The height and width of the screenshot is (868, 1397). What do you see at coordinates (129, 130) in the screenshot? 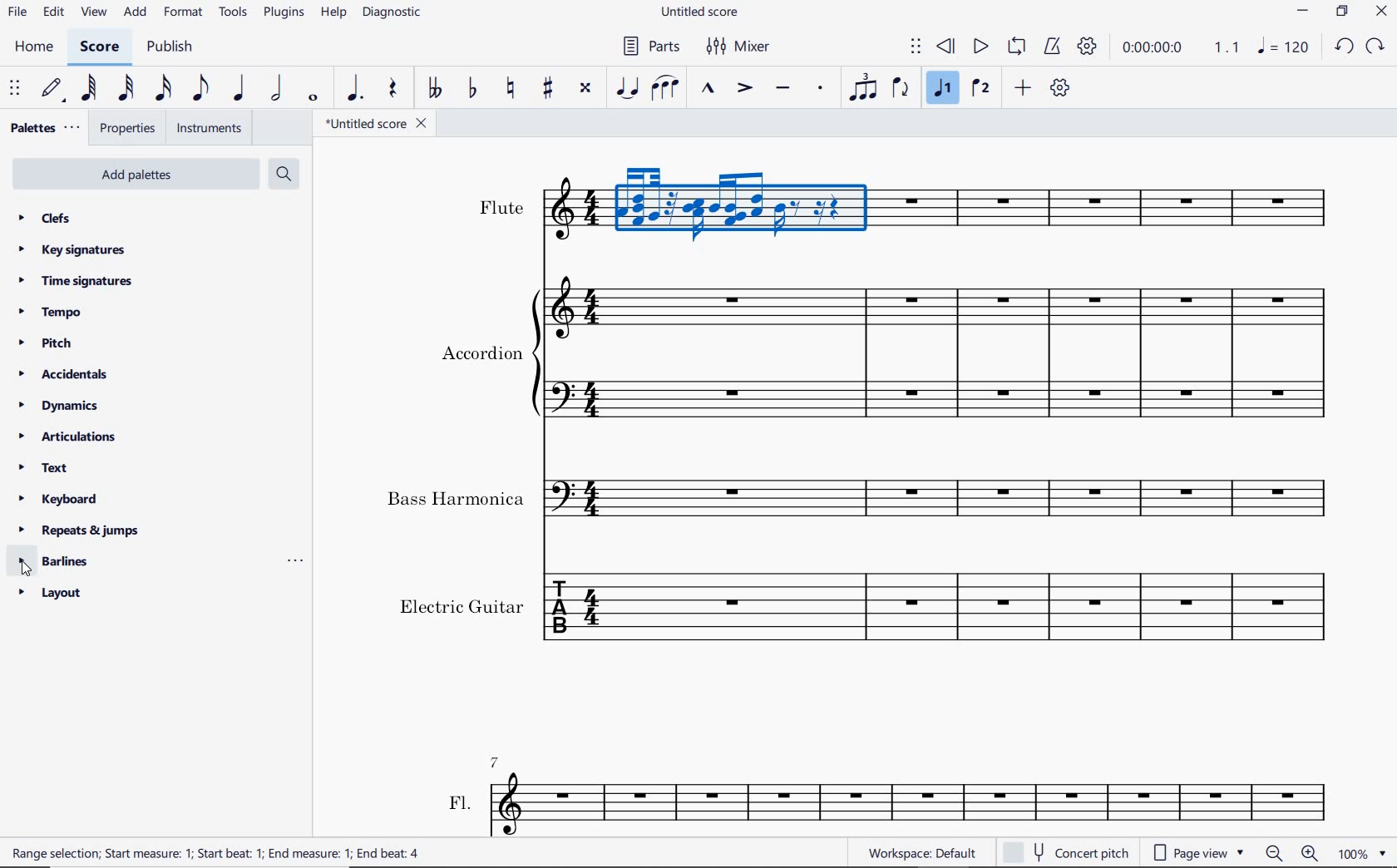
I see `properties` at bounding box center [129, 130].